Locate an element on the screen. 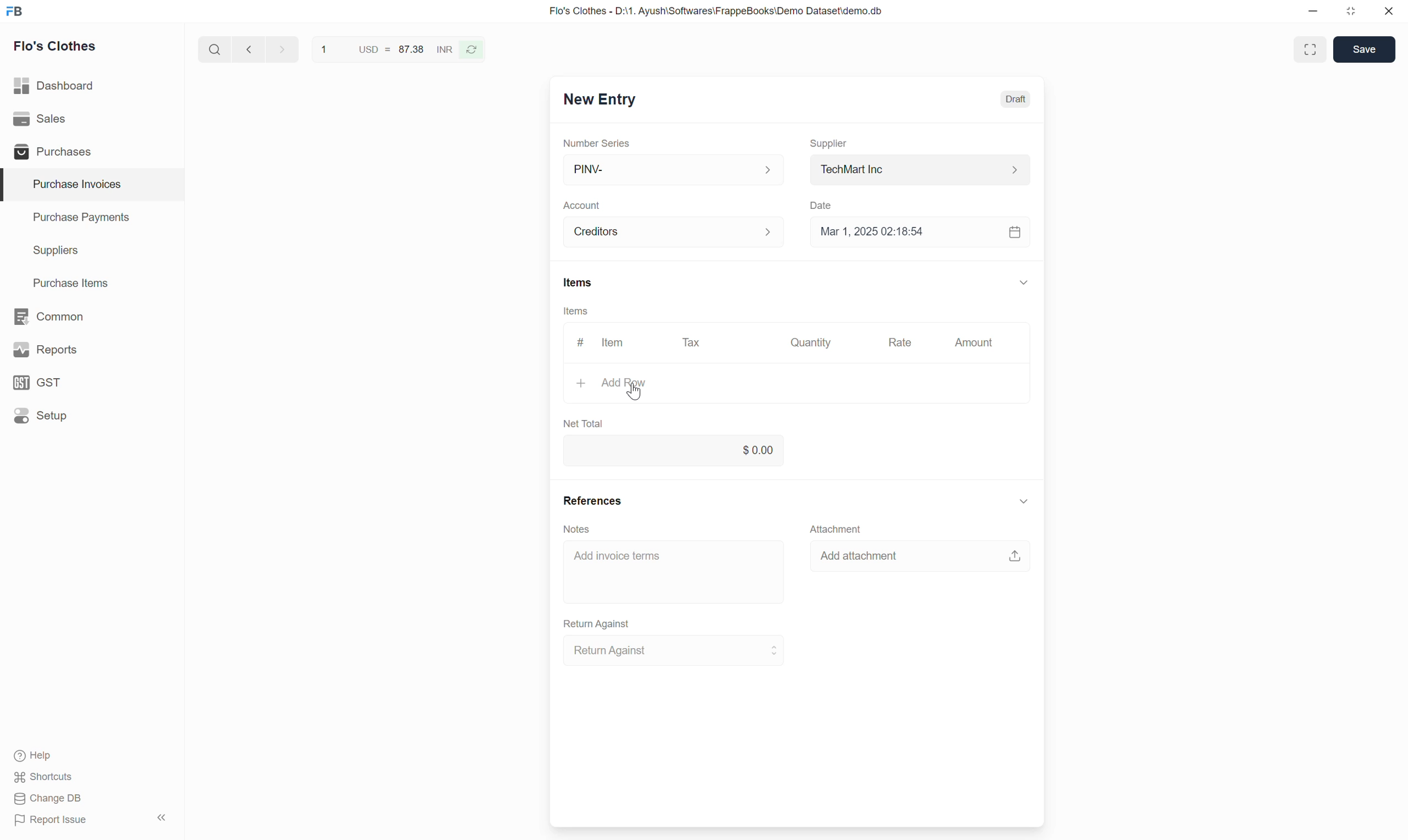 The width and height of the screenshot is (1408, 840). Return Against is located at coordinates (675, 650).